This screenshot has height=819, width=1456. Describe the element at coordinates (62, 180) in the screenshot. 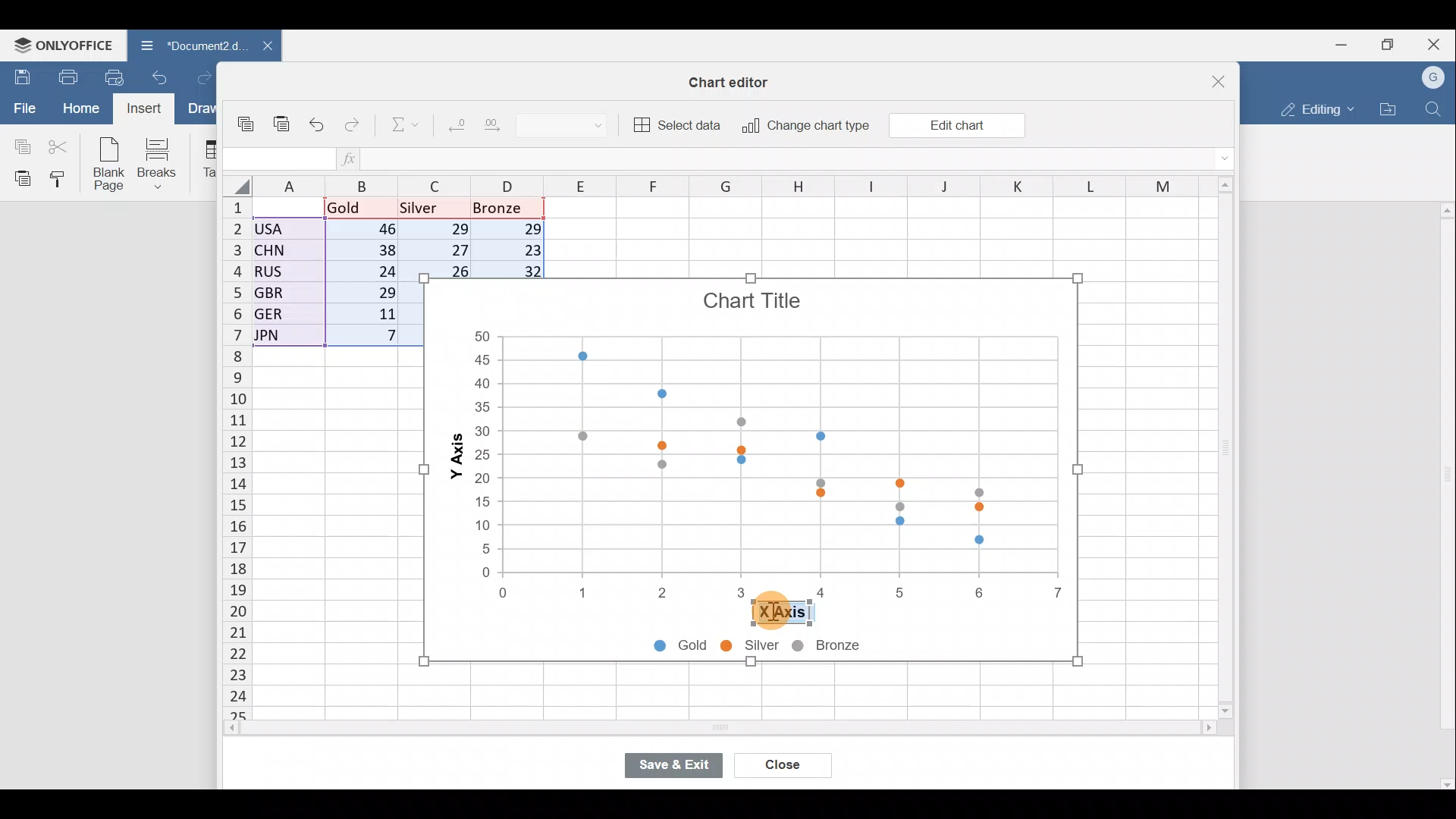

I see `Copy style` at that location.